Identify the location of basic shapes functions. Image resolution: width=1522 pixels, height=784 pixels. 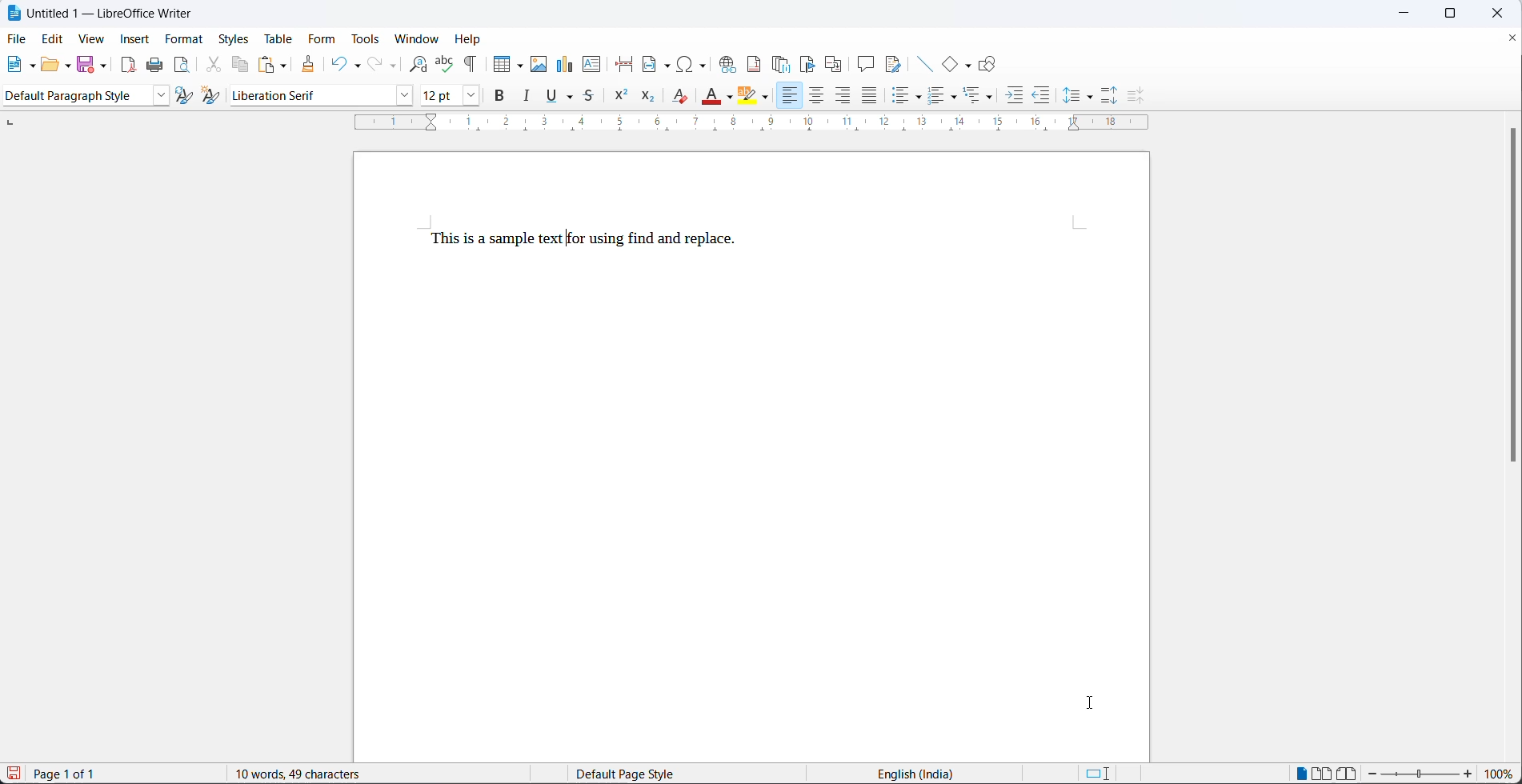
(969, 65).